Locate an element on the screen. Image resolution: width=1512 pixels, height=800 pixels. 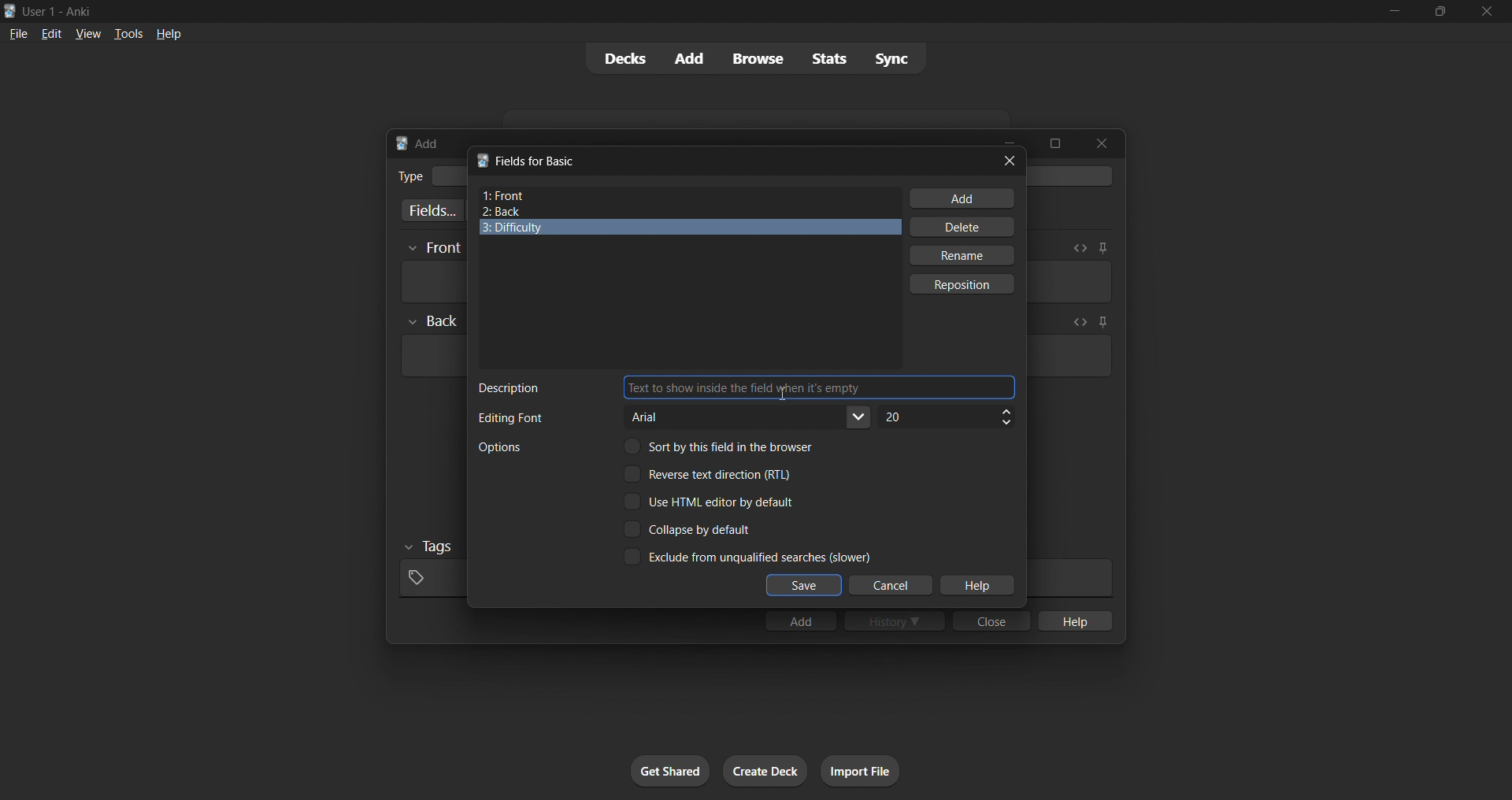
help is located at coordinates (976, 586).